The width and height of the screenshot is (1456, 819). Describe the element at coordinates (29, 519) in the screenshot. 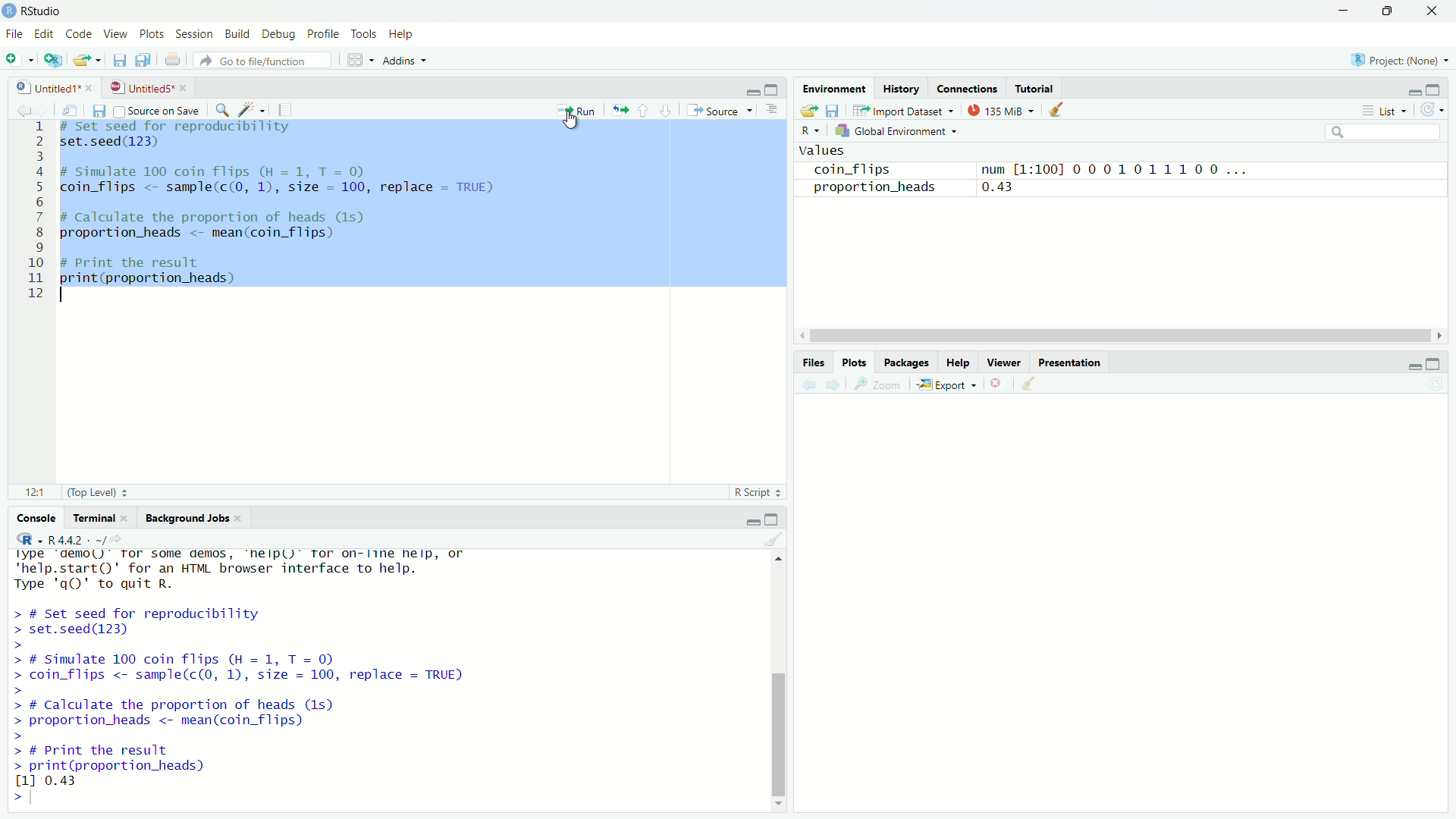

I see `console` at that location.